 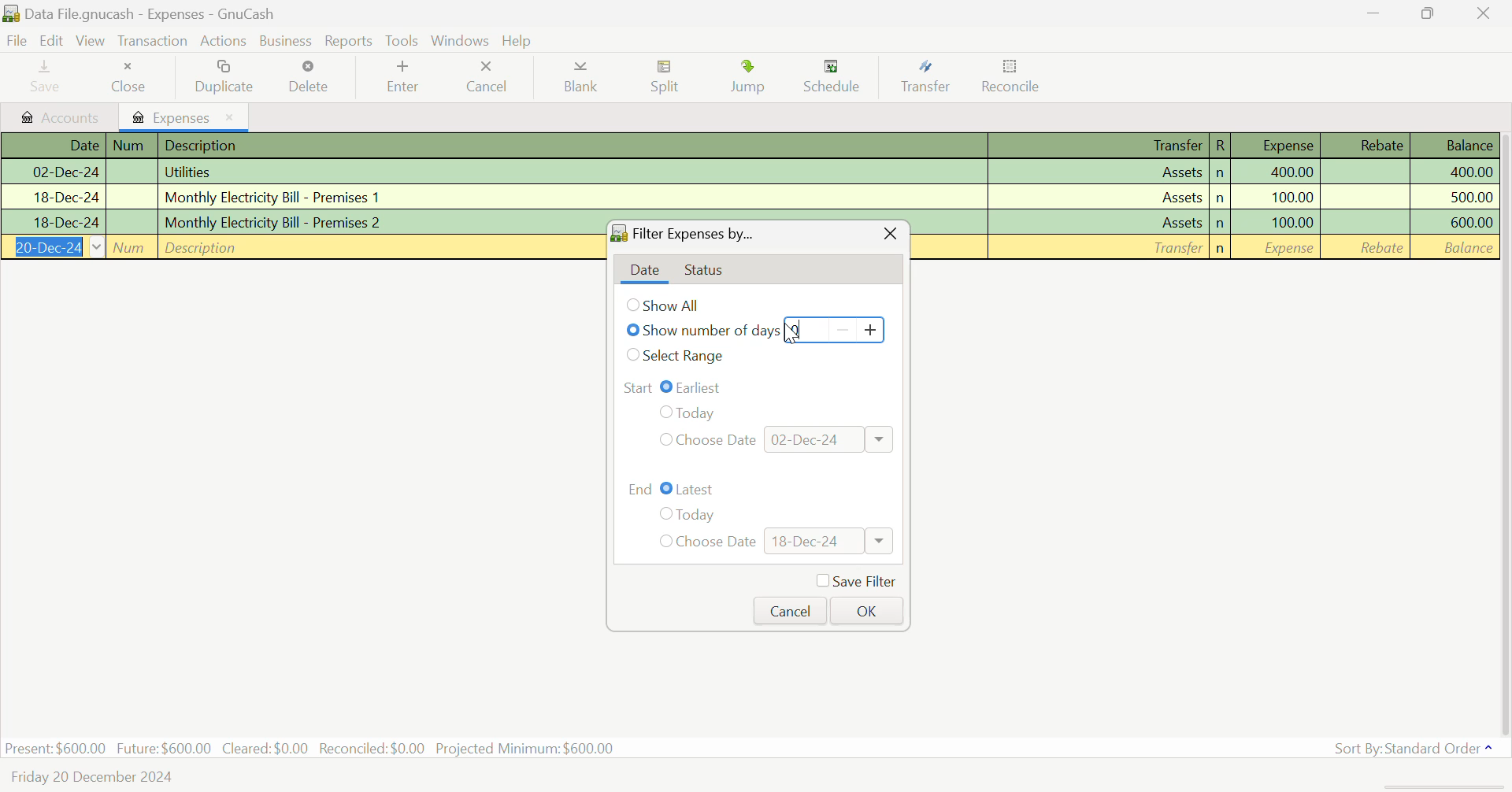 What do you see at coordinates (150, 41) in the screenshot?
I see `Transaction` at bounding box center [150, 41].